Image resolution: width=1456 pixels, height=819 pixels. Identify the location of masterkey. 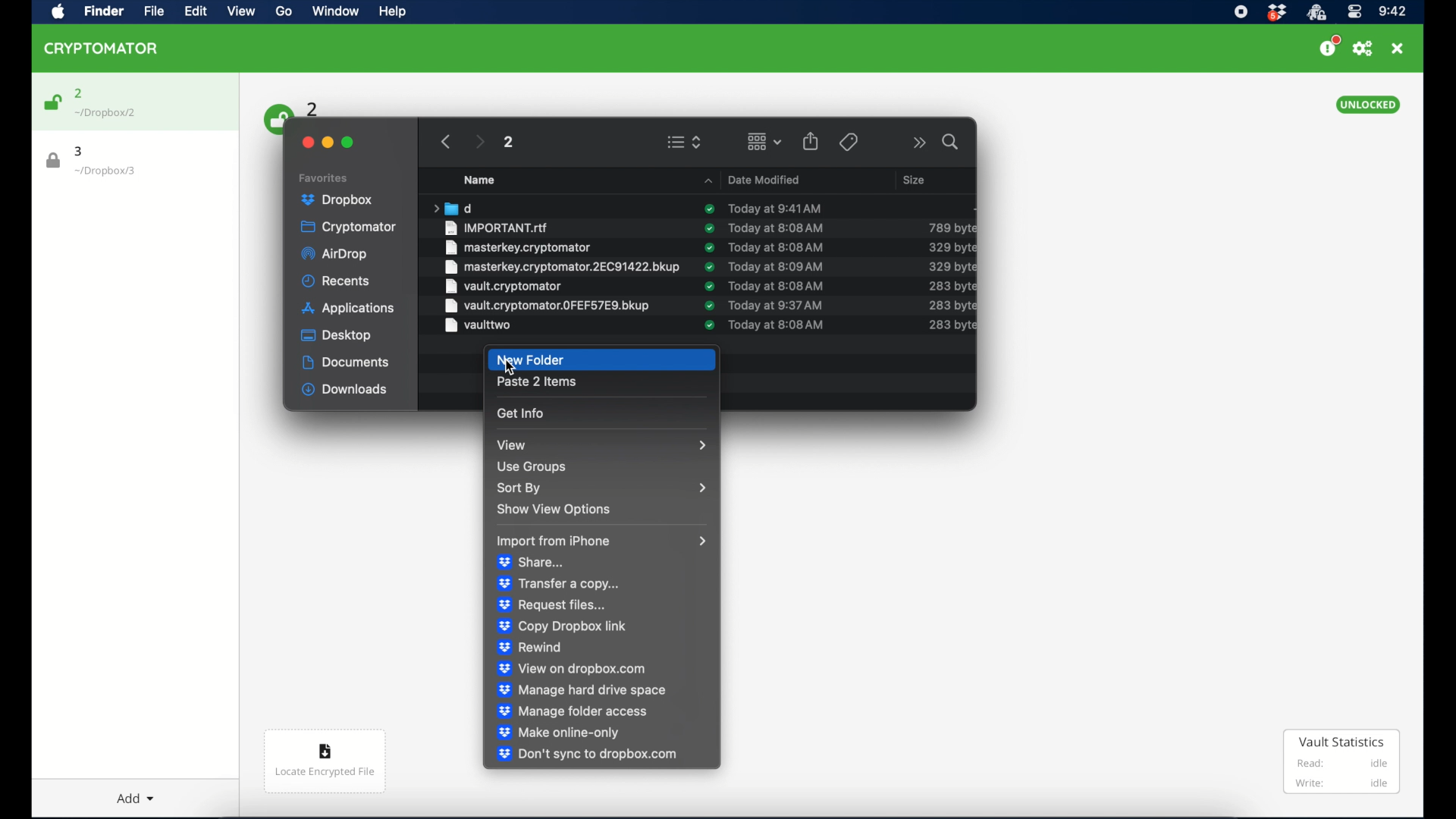
(518, 247).